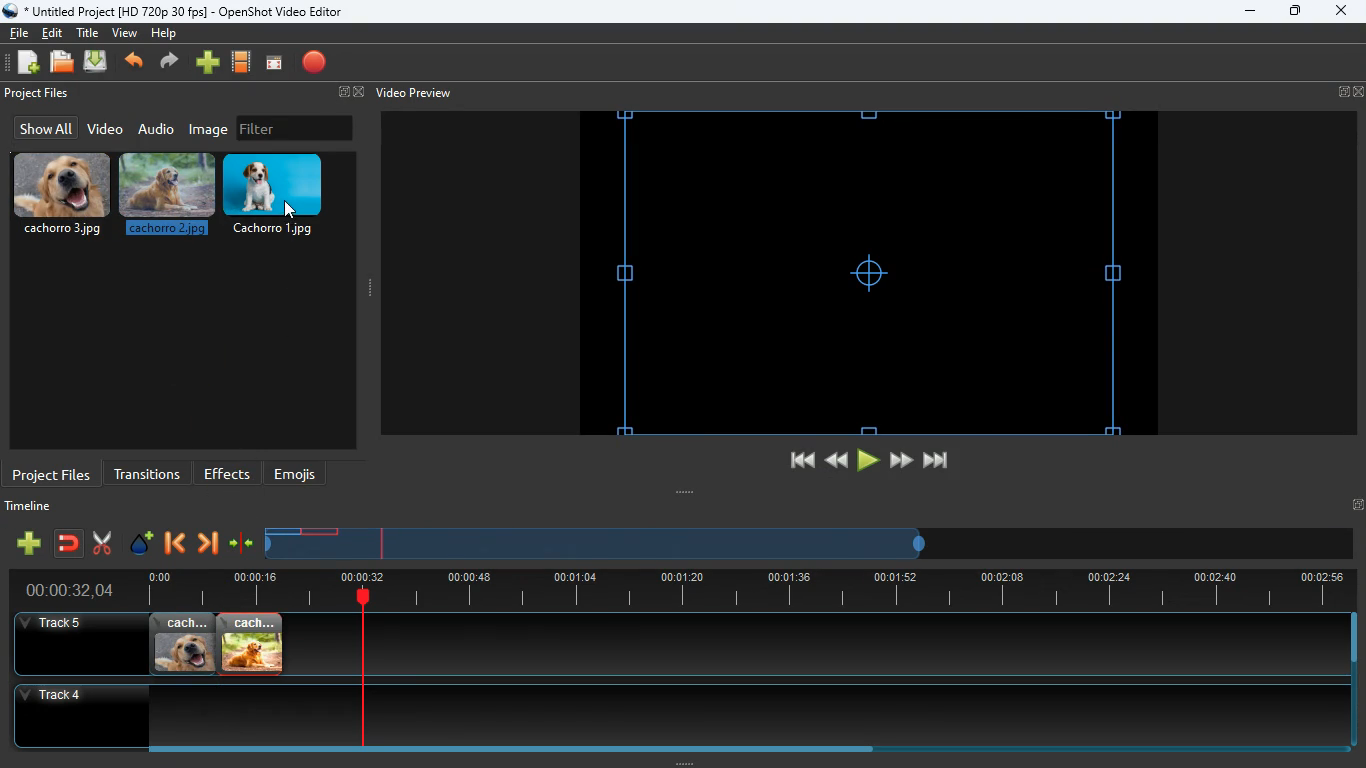 The height and width of the screenshot is (768, 1366). Describe the element at coordinates (104, 130) in the screenshot. I see `video` at that location.